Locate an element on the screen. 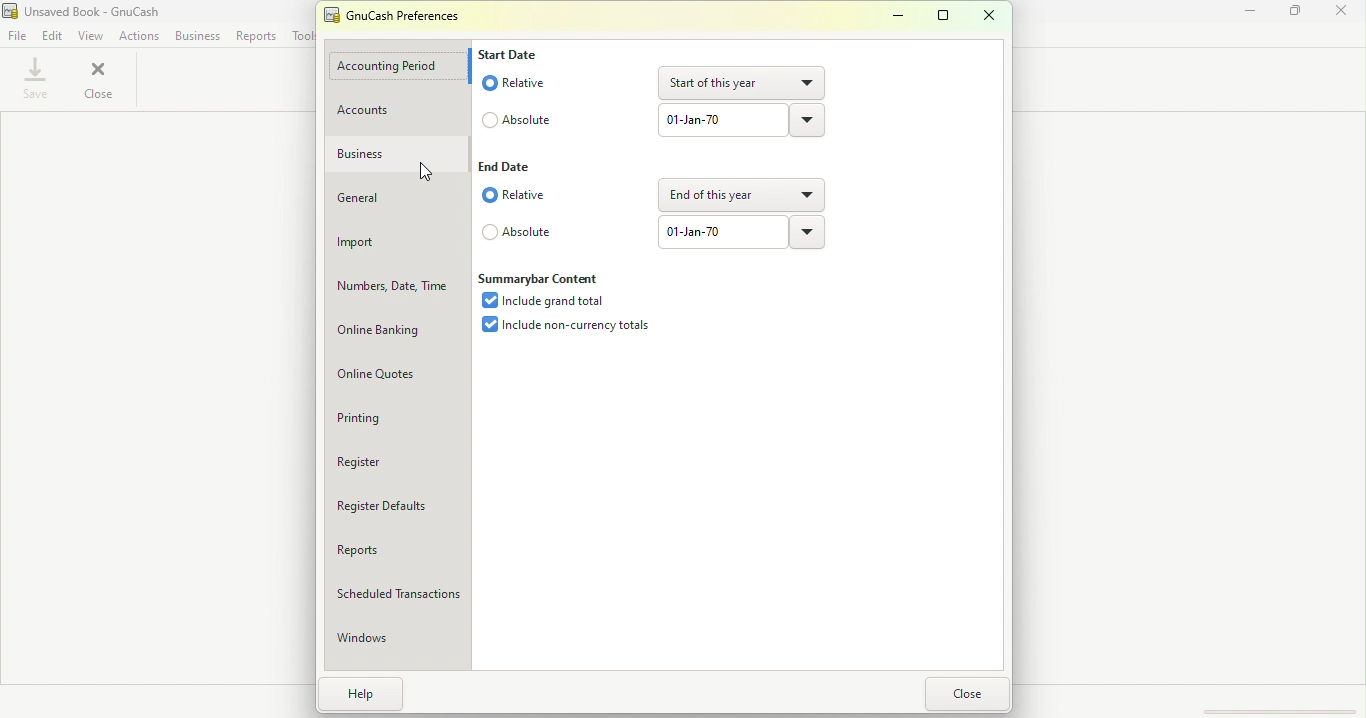 Image resolution: width=1366 pixels, height=718 pixels. Close is located at coordinates (97, 79).